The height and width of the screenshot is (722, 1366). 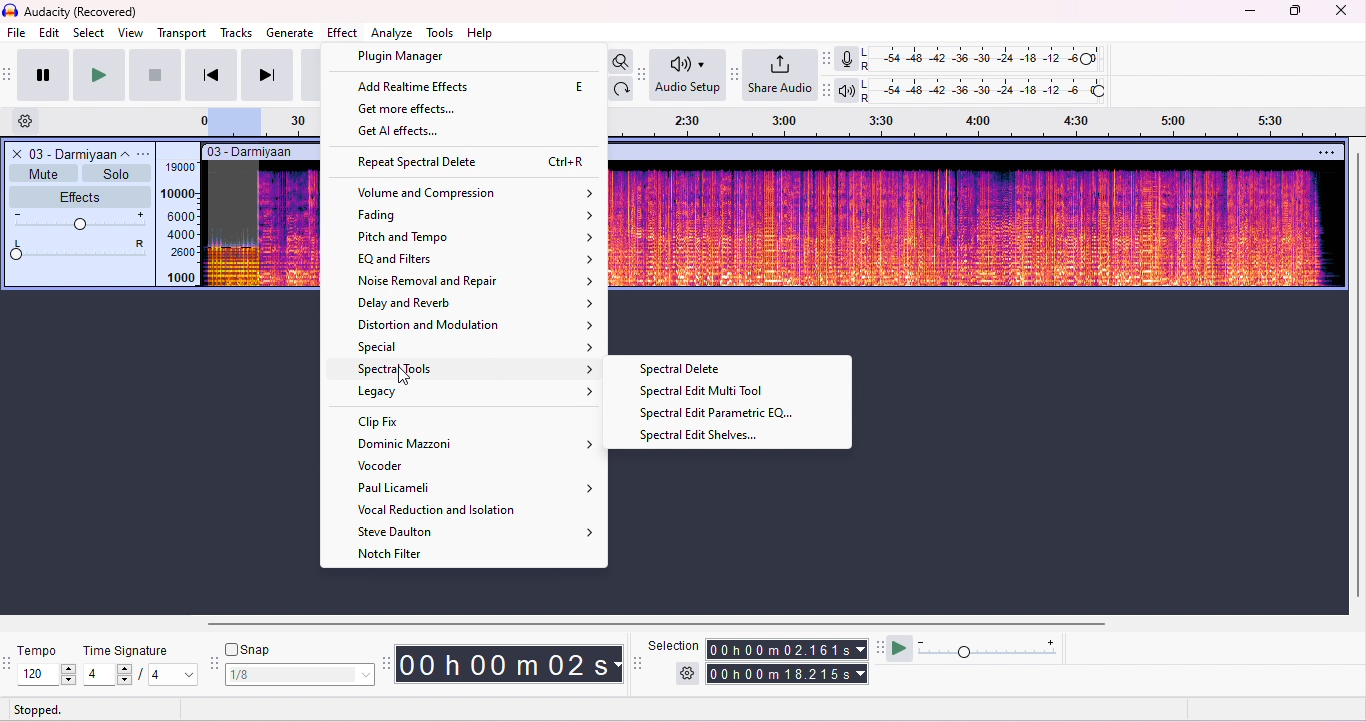 What do you see at coordinates (879, 646) in the screenshot?
I see `play at speed tool bar` at bounding box center [879, 646].